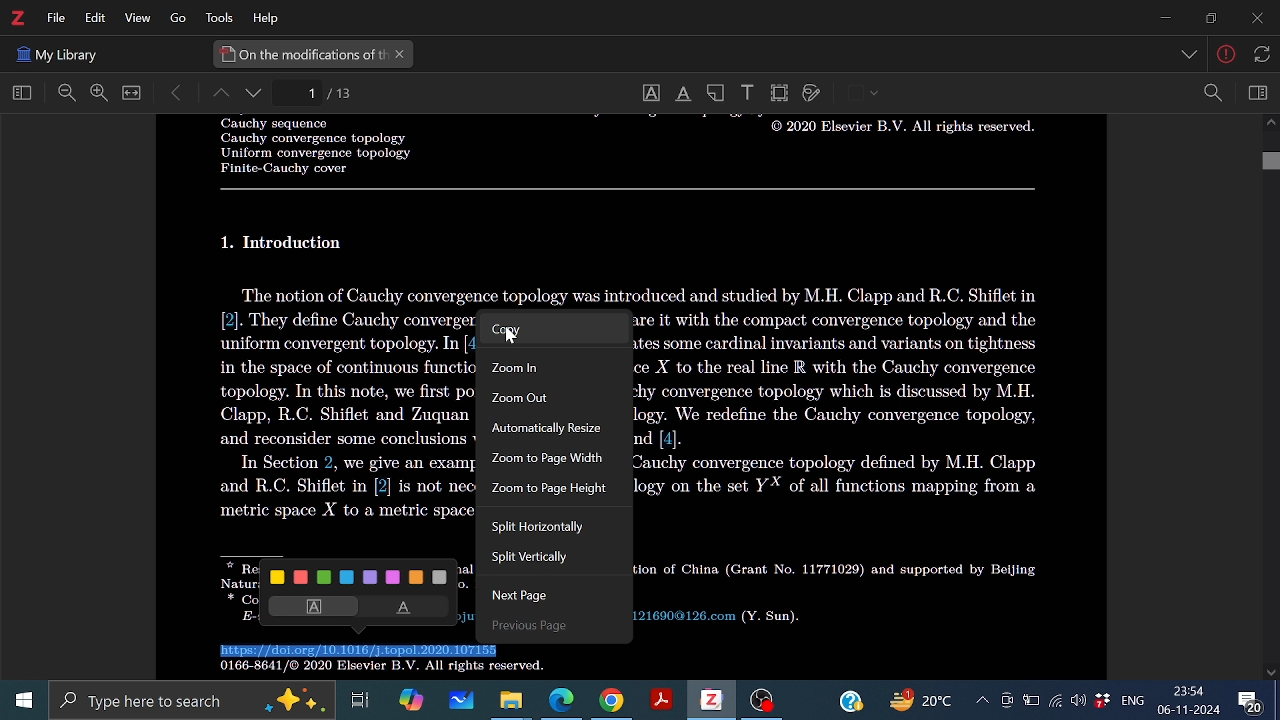 The width and height of the screenshot is (1280, 720). Describe the element at coordinates (18, 94) in the screenshot. I see `Home view` at that location.